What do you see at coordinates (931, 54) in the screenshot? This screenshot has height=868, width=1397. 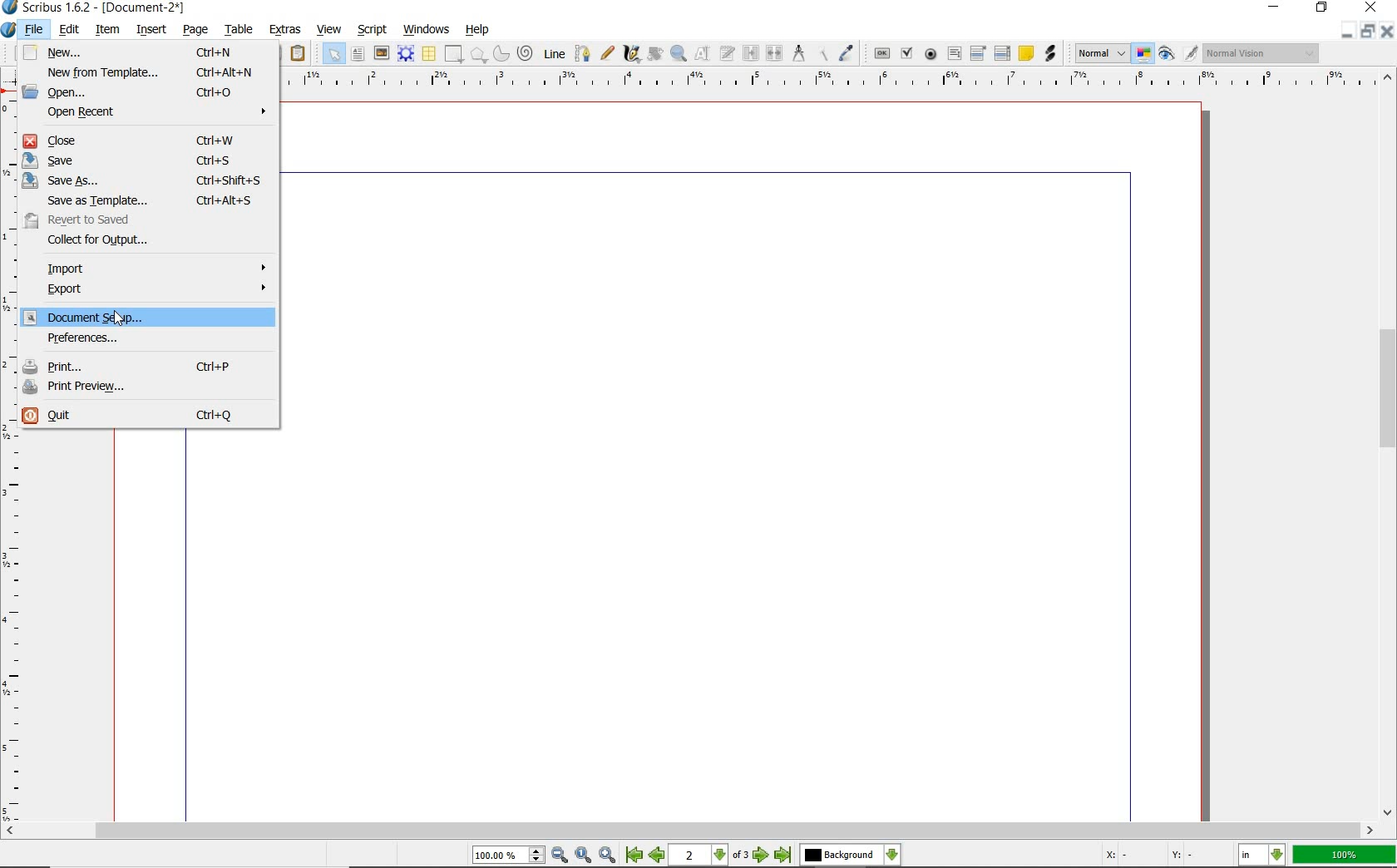 I see `pdf radio button` at bounding box center [931, 54].